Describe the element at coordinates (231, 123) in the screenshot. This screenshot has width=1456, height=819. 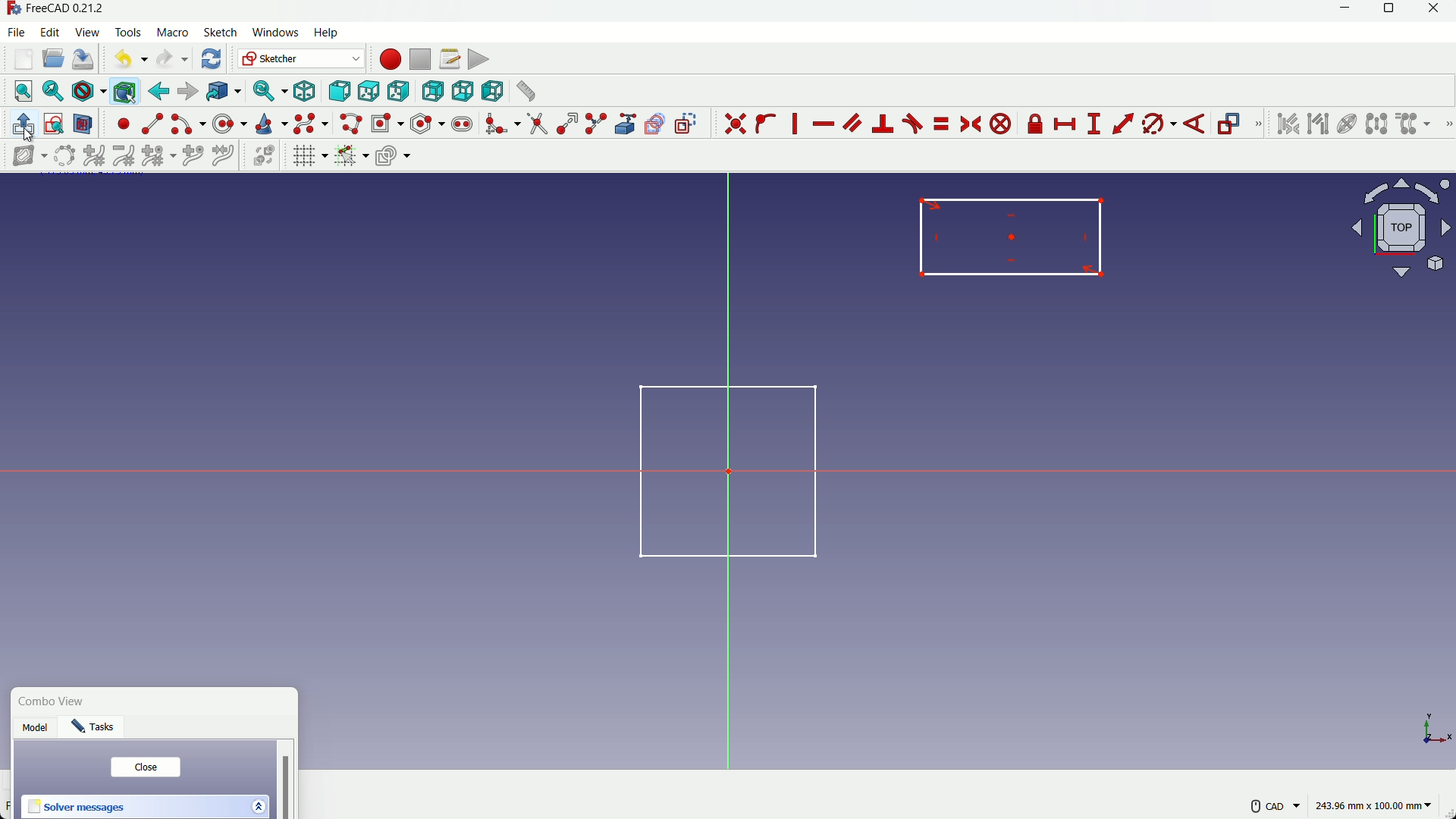
I see `create circle` at that location.